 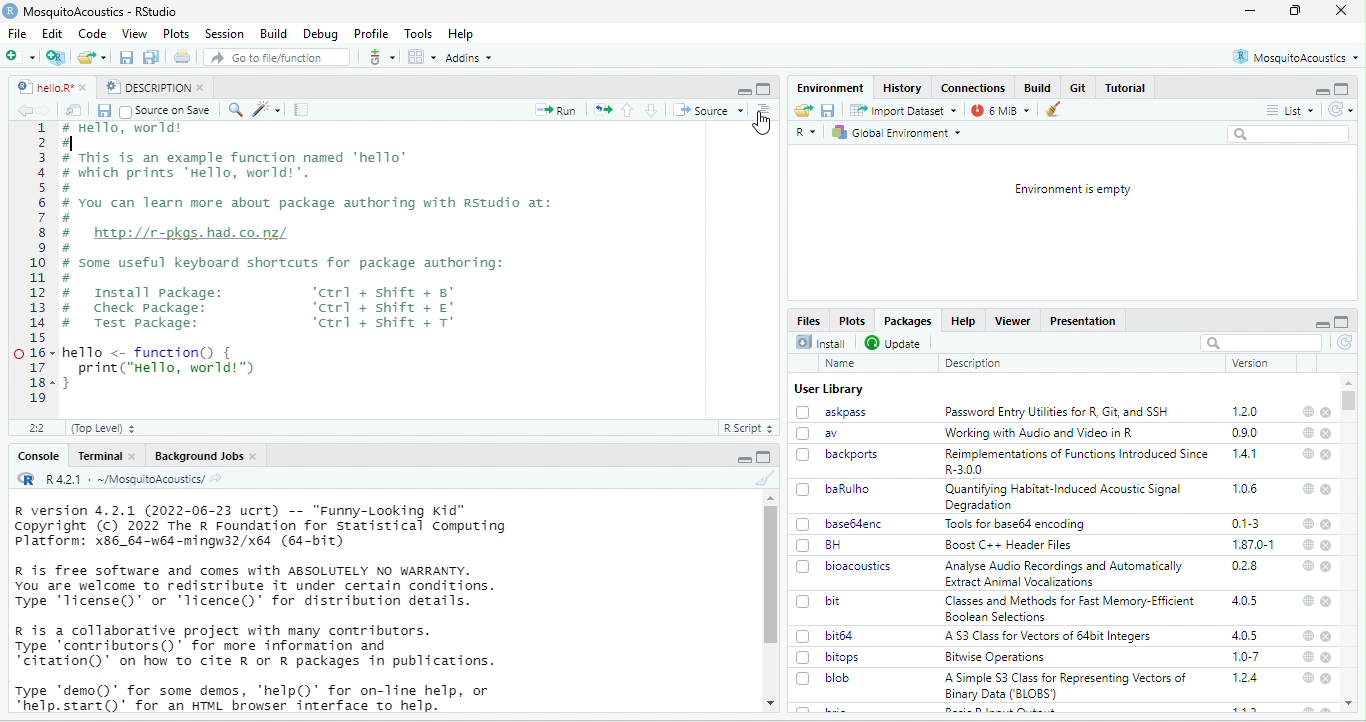 I want to click on base64enc, so click(x=840, y=524).